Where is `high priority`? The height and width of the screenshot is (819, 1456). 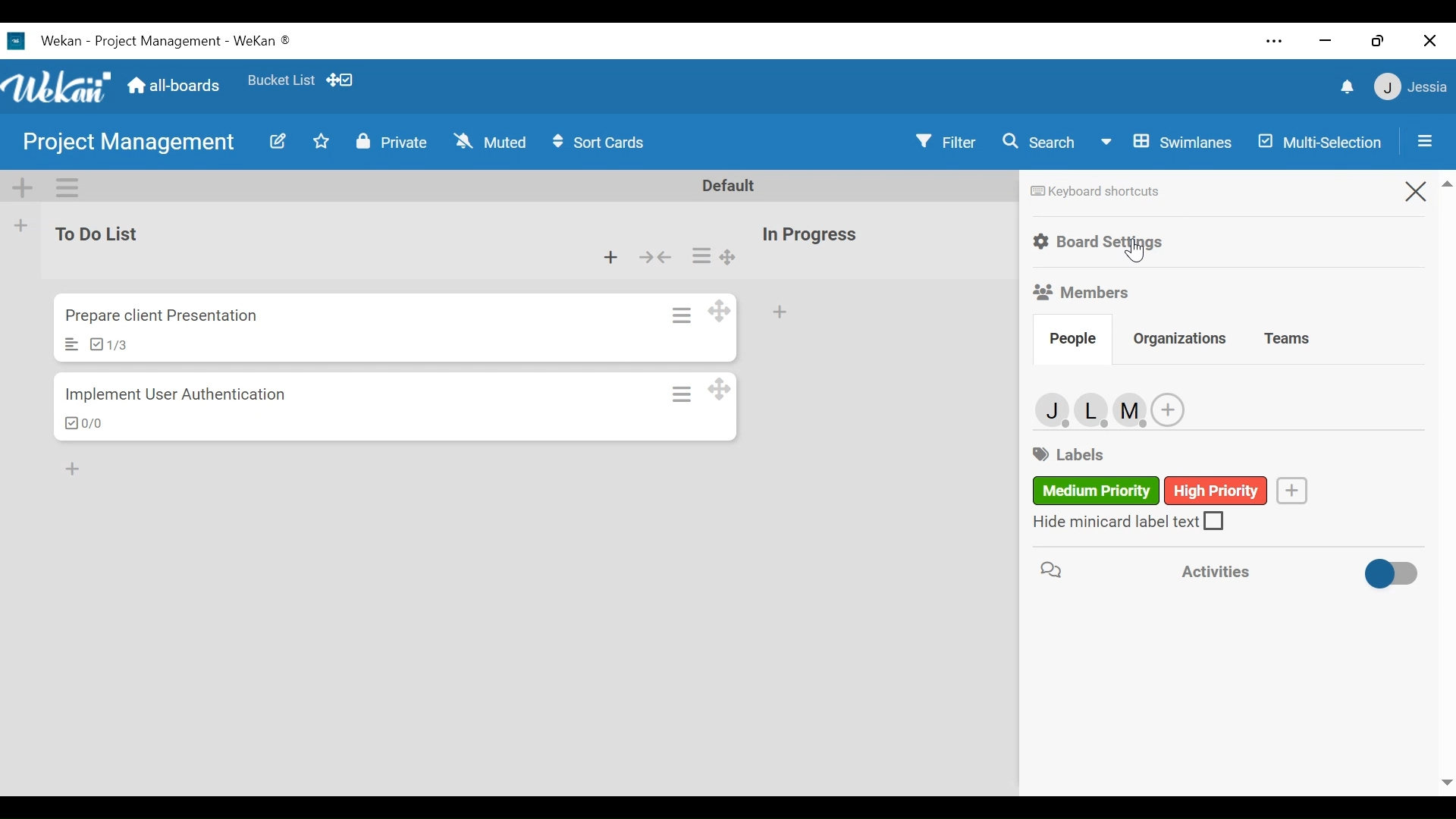
high priority is located at coordinates (1217, 490).